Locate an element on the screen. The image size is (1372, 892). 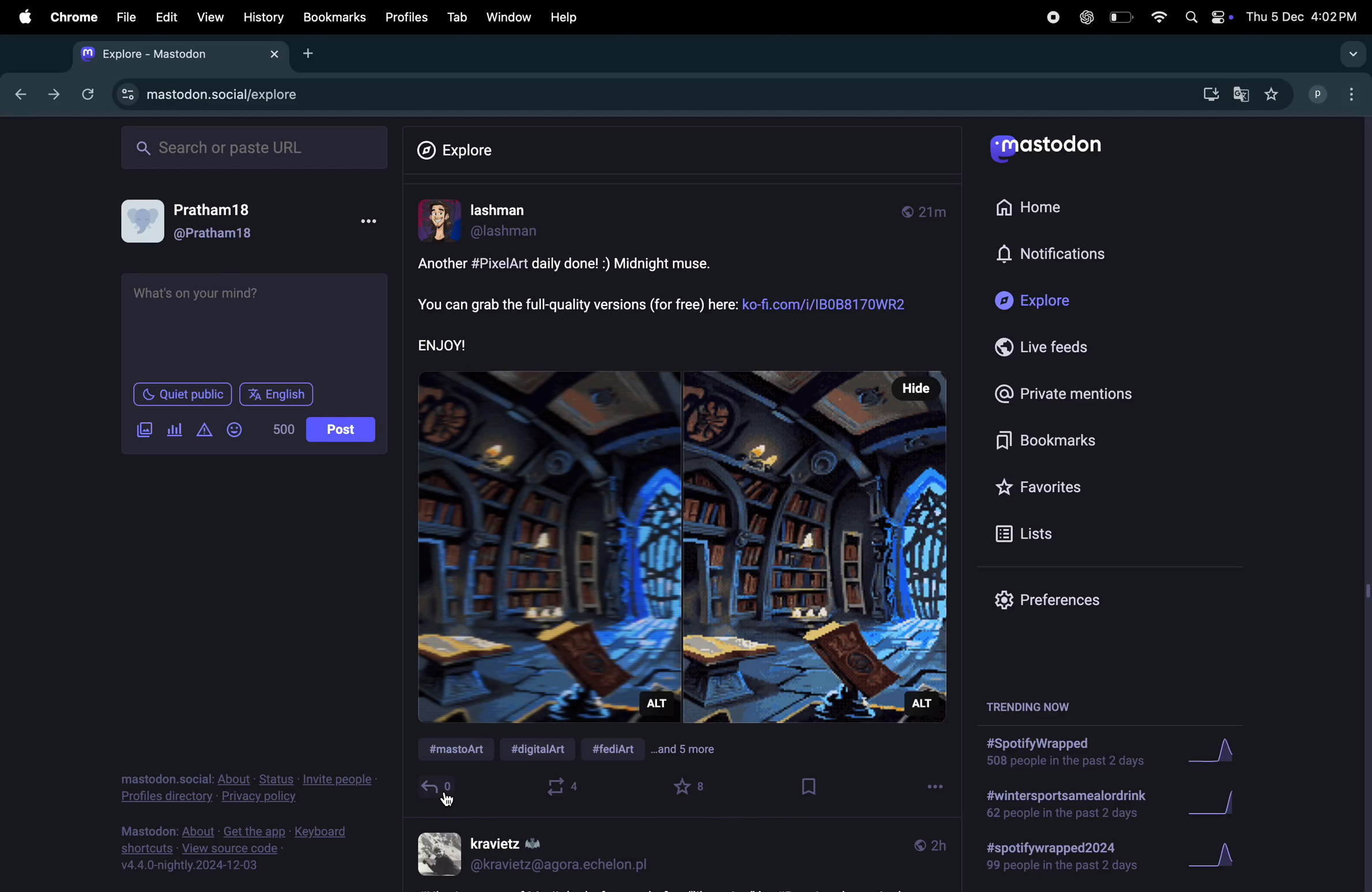
time is located at coordinates (929, 212).